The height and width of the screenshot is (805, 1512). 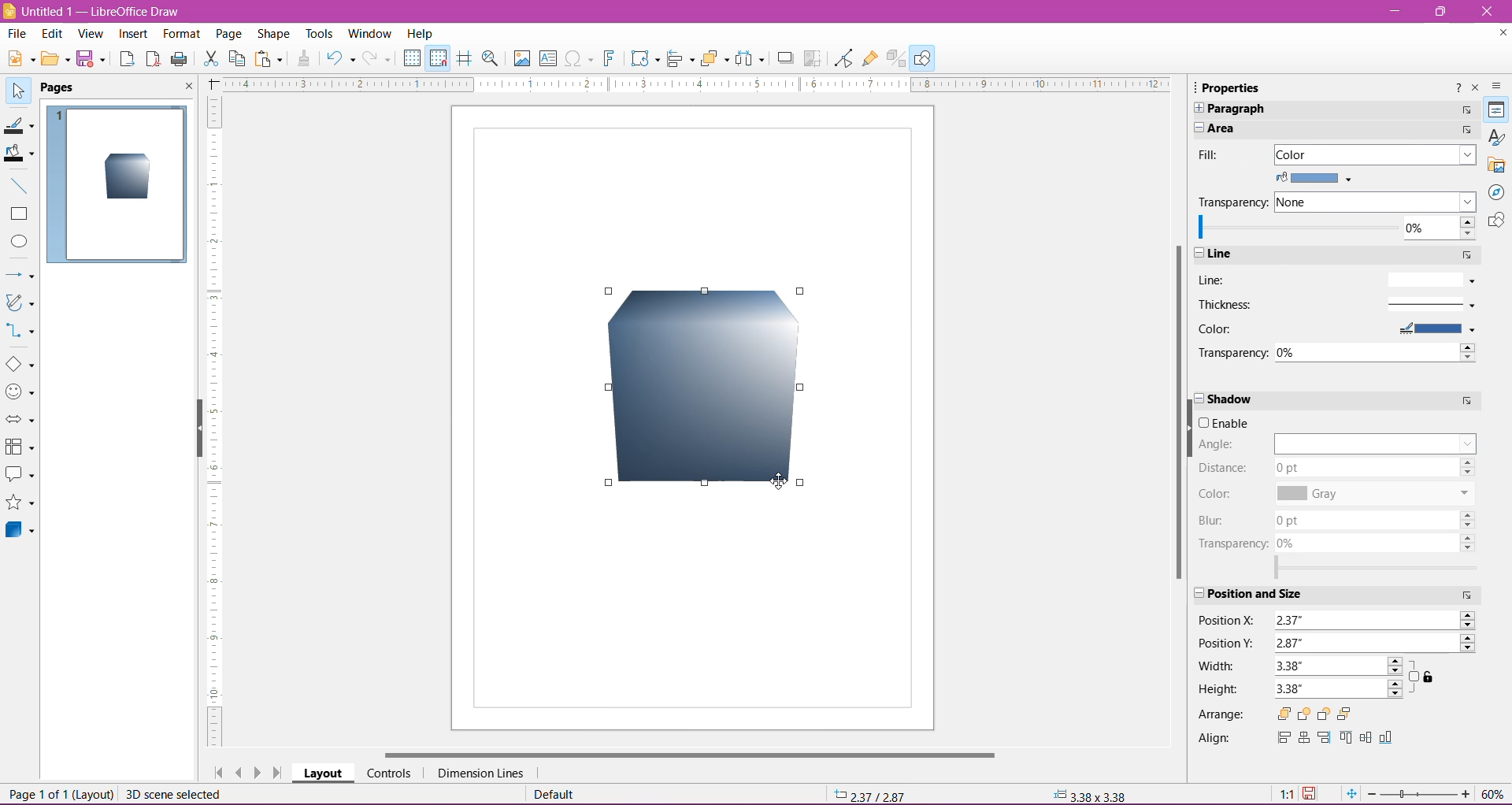 I want to click on More Options, so click(x=1465, y=401).